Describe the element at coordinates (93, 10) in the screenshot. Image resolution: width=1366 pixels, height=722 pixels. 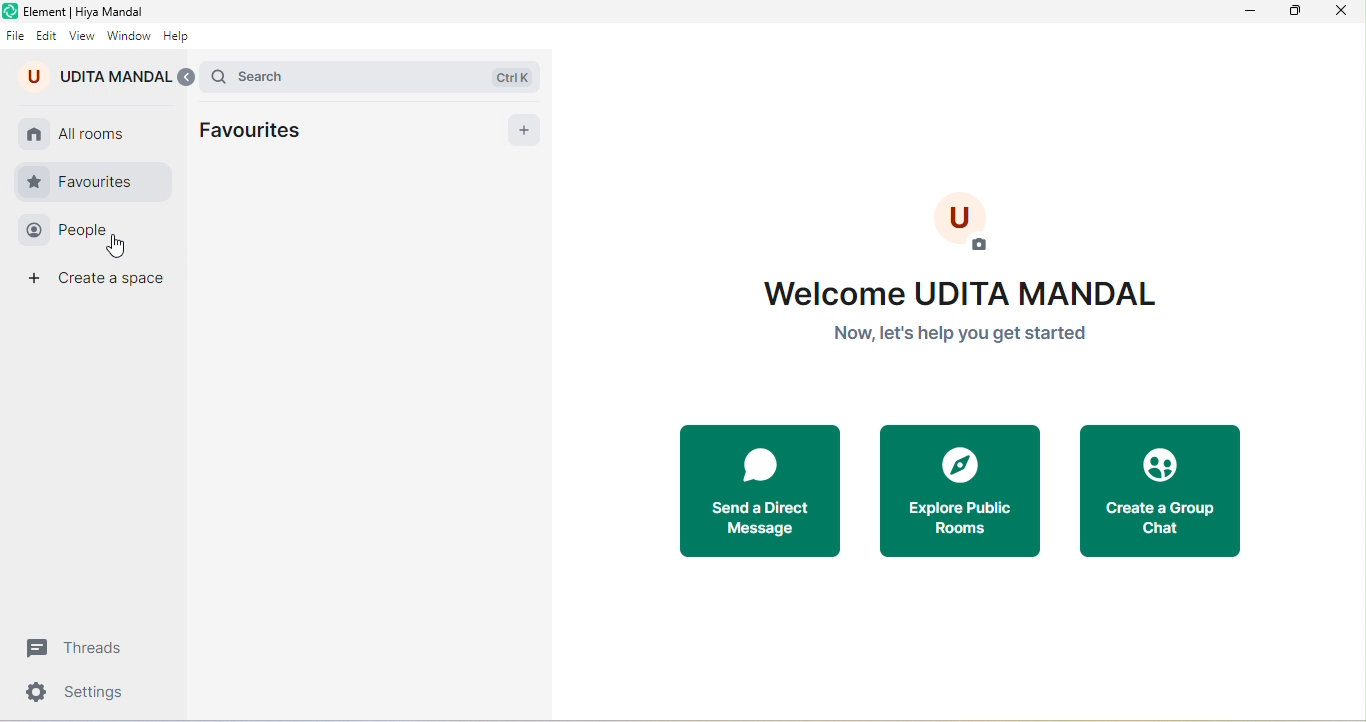
I see `title` at that location.